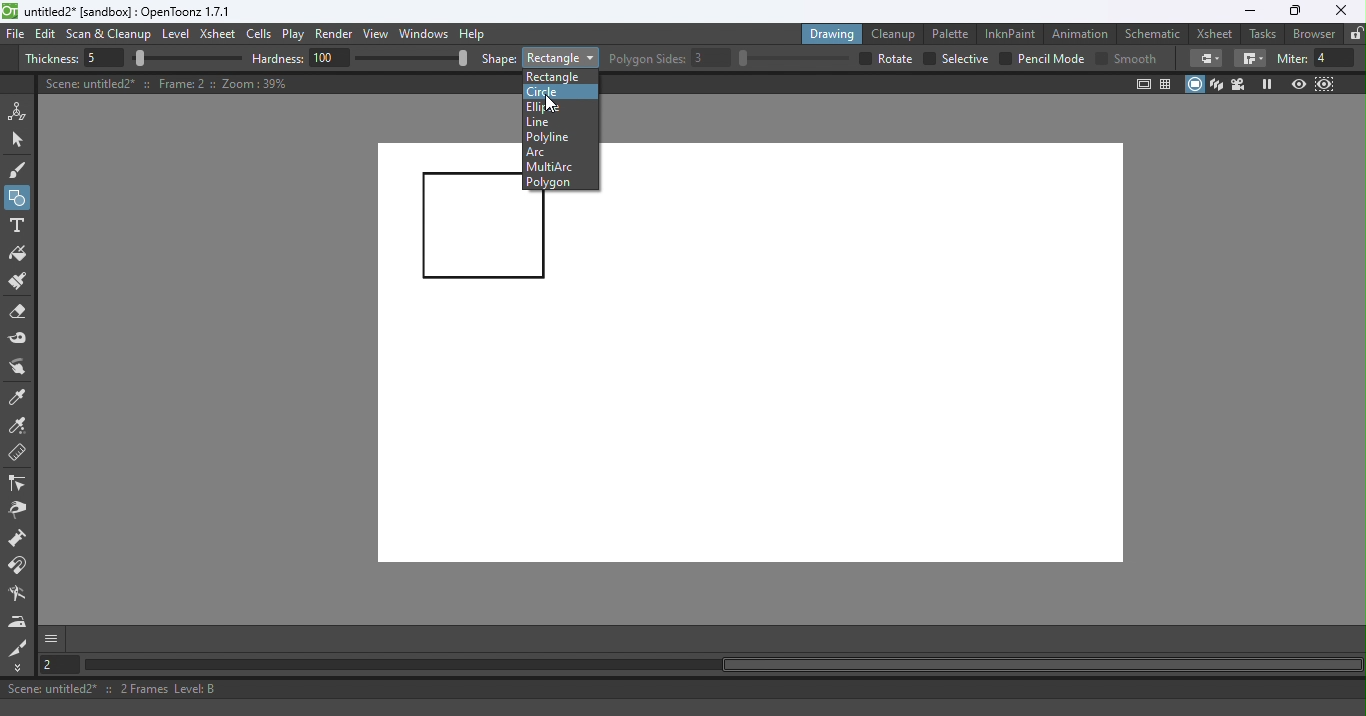 The image size is (1366, 716). I want to click on Brush tool, so click(22, 169).